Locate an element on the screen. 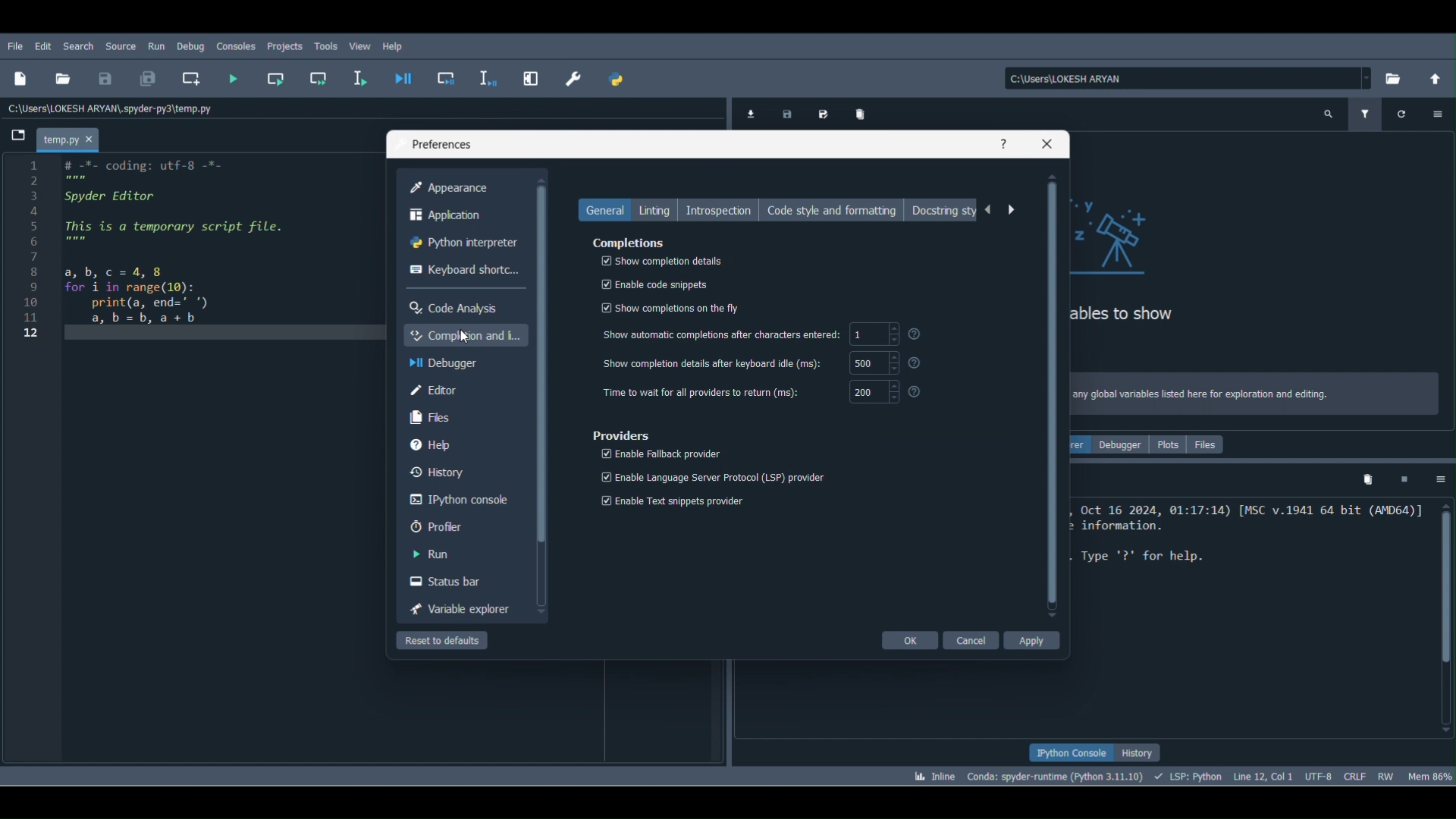 The height and width of the screenshot is (819, 1456). Browse tabs is located at coordinates (20, 137).